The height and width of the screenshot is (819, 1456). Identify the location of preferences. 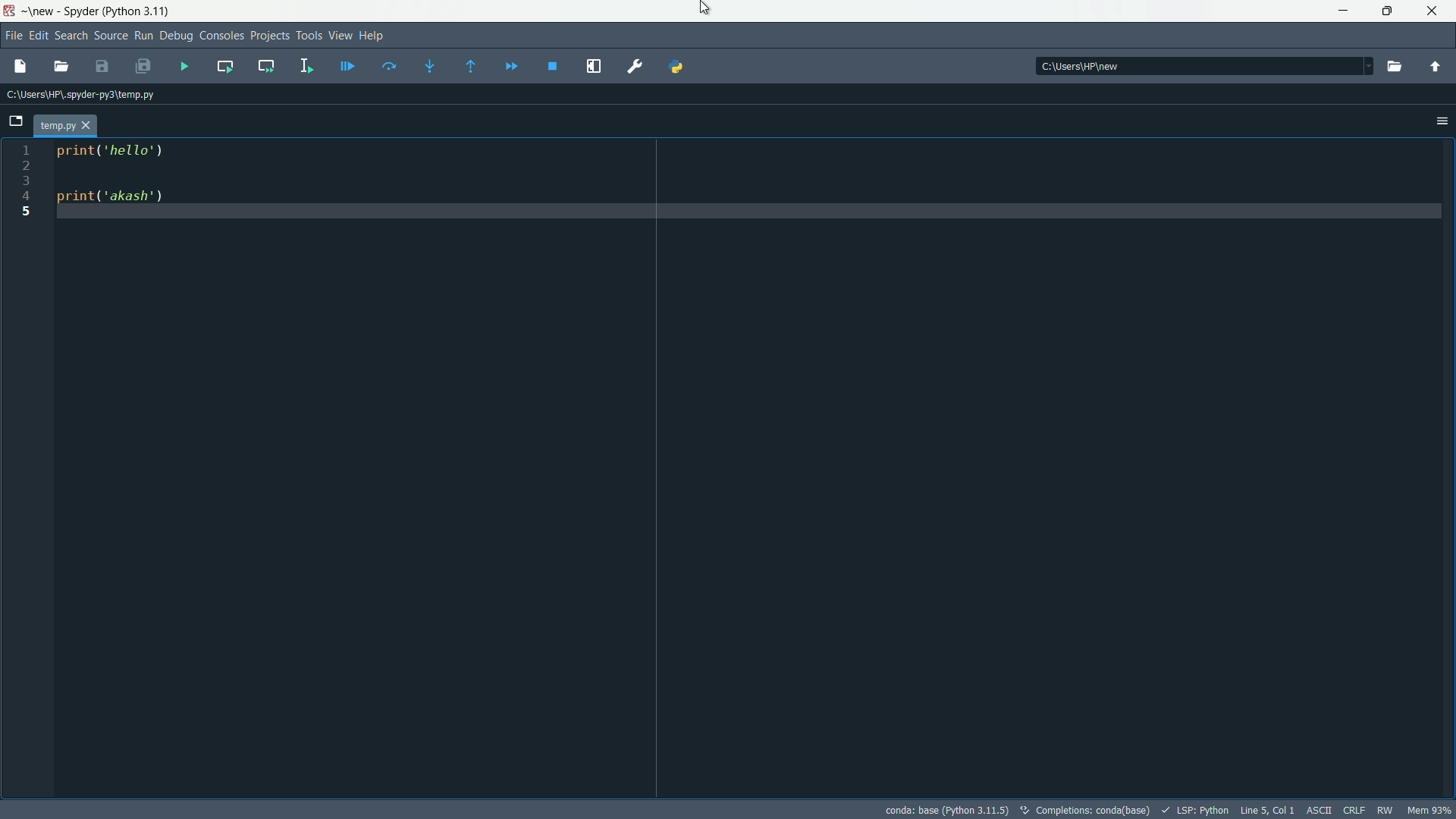
(635, 67).